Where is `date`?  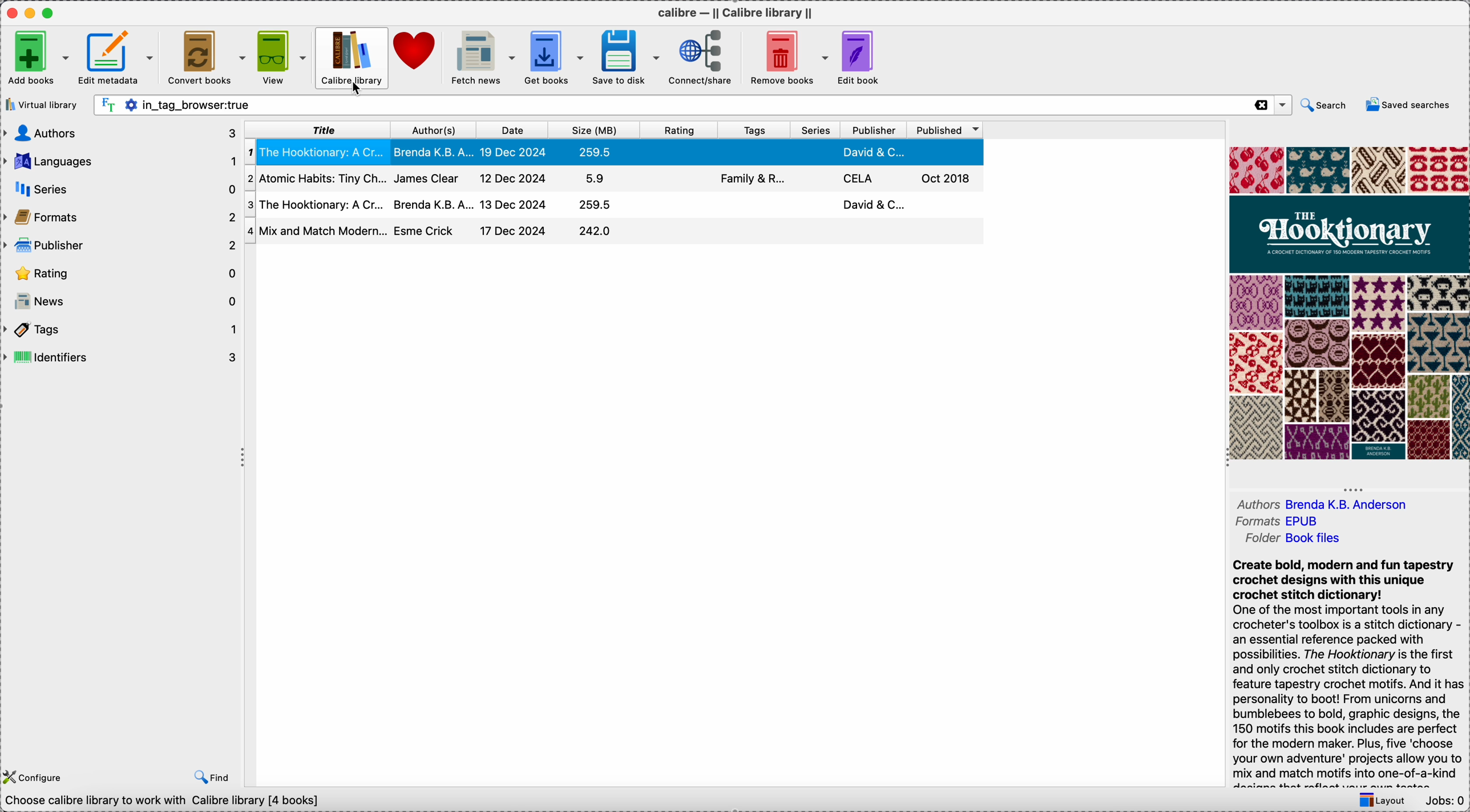
date is located at coordinates (510, 130).